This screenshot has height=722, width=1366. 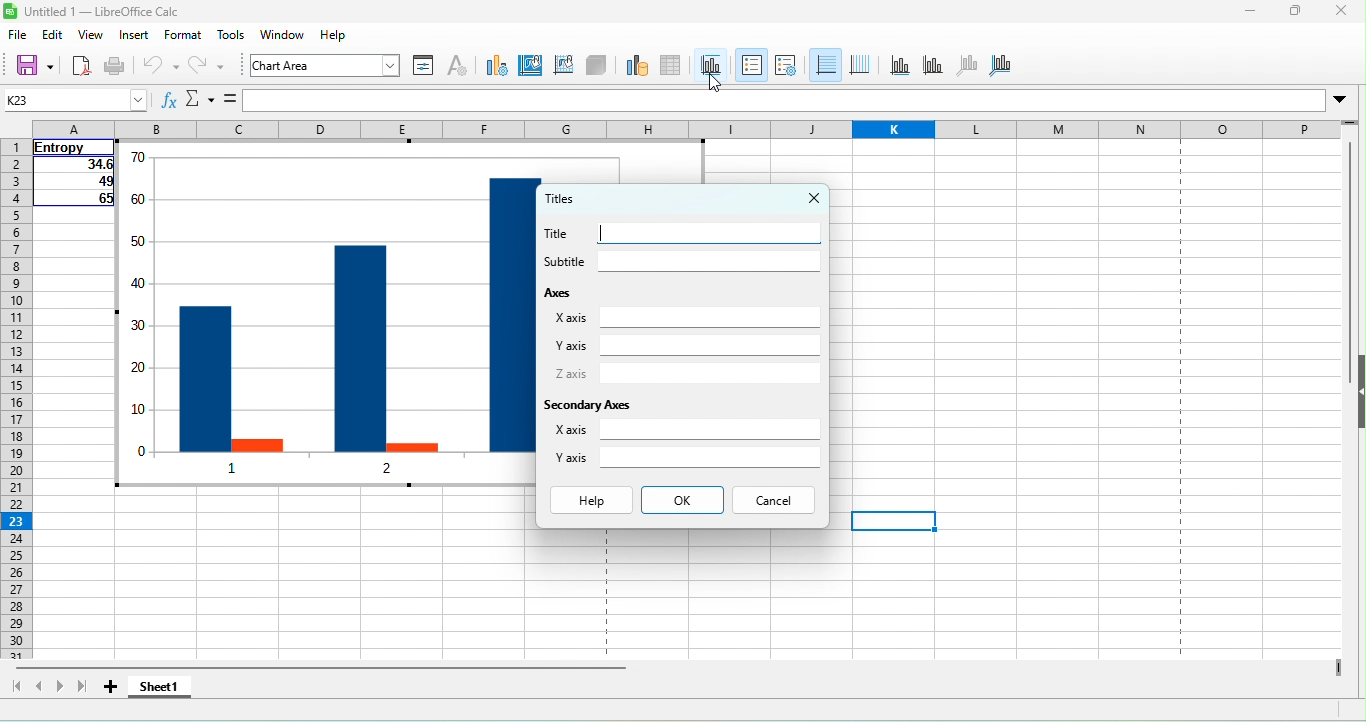 What do you see at coordinates (52, 35) in the screenshot?
I see `edit` at bounding box center [52, 35].